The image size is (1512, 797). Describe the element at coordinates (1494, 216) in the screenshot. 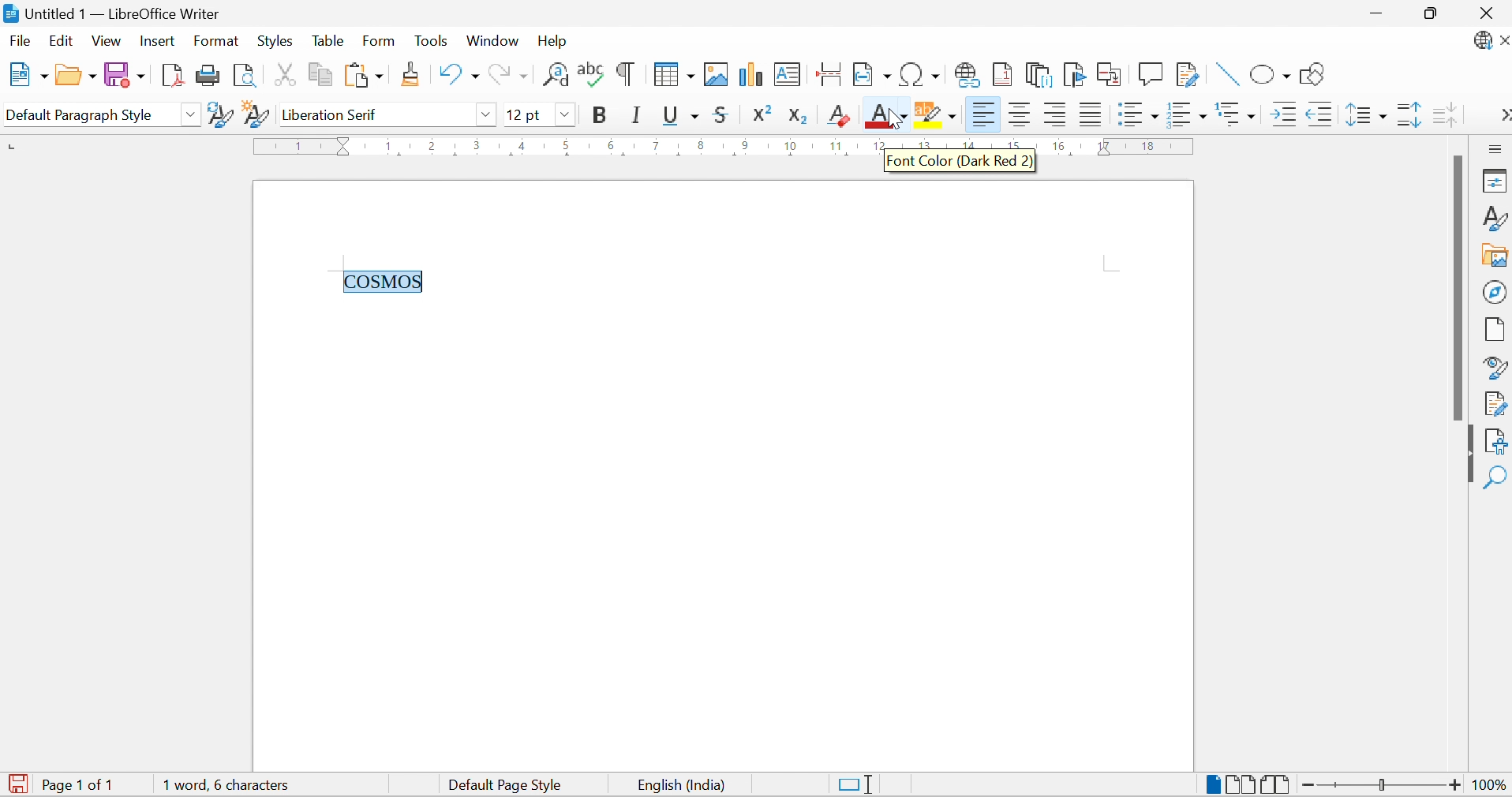

I see `Styles` at that location.